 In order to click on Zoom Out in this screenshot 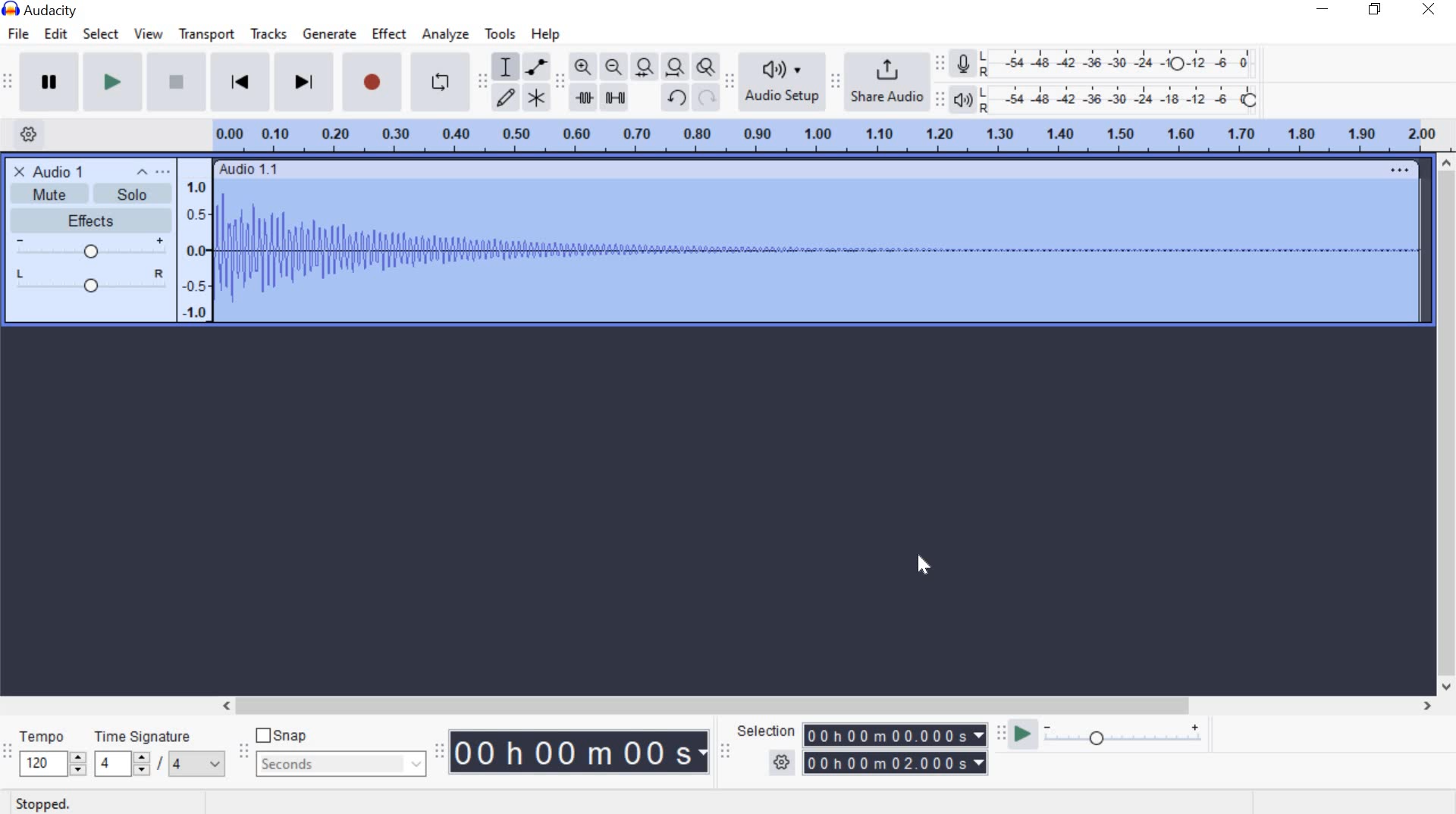, I will do `click(610, 66)`.